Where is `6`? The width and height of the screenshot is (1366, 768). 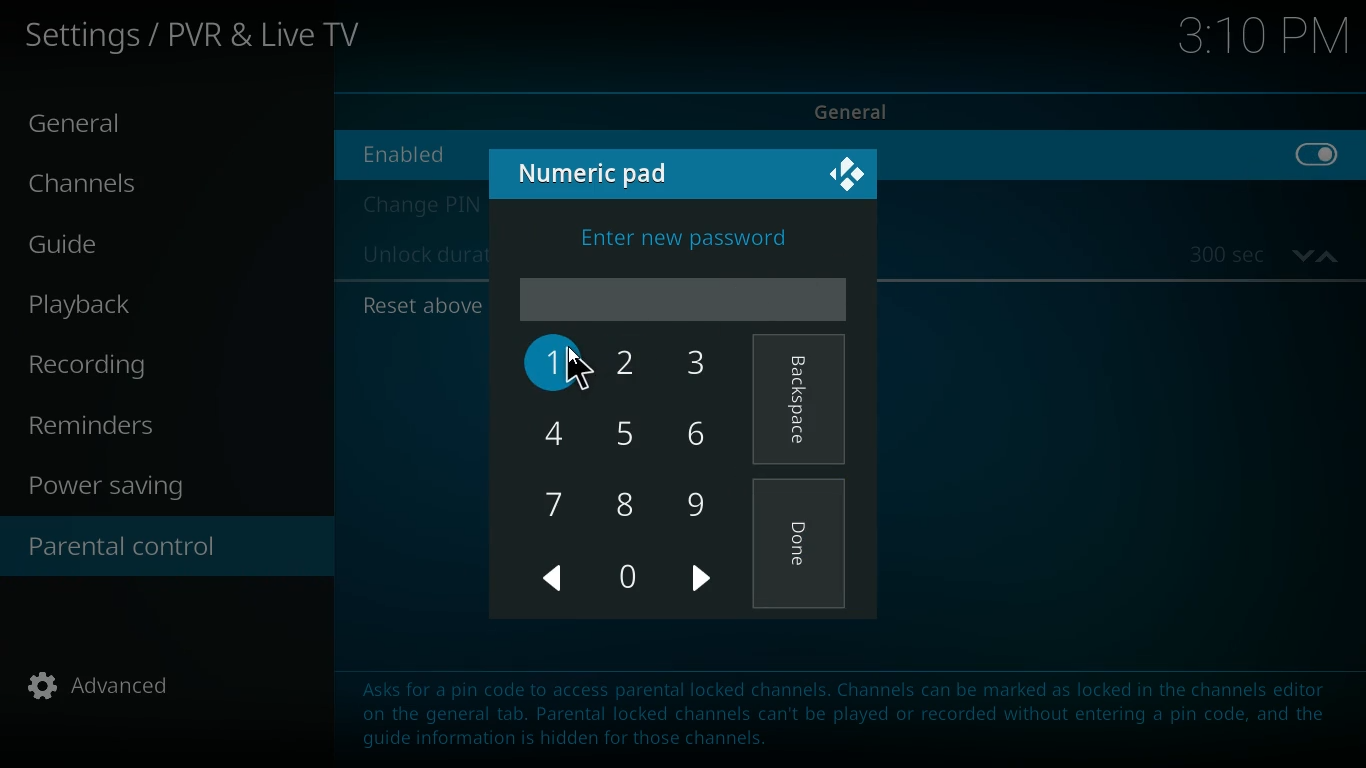 6 is located at coordinates (699, 434).